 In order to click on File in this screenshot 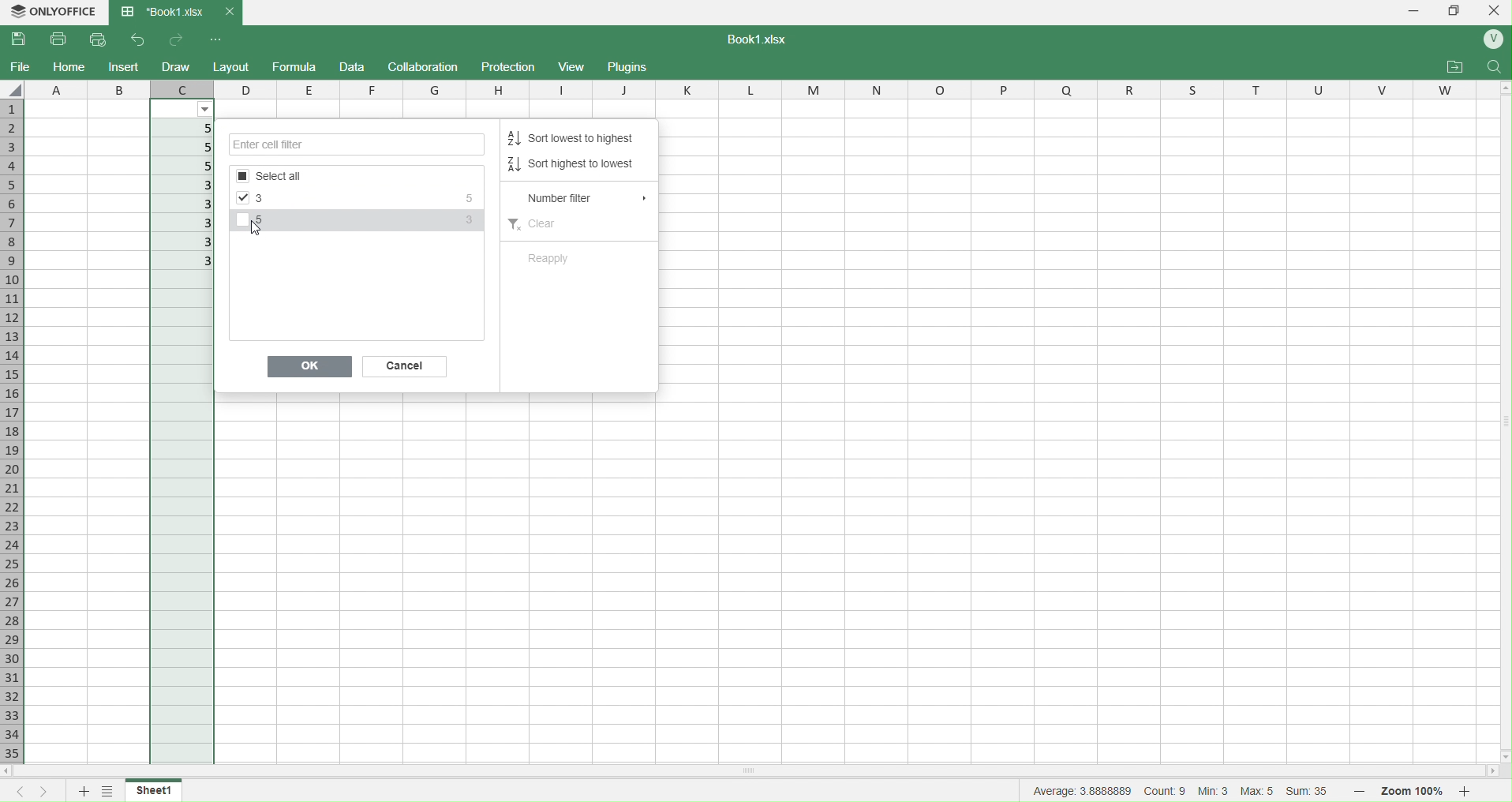, I will do `click(21, 66)`.